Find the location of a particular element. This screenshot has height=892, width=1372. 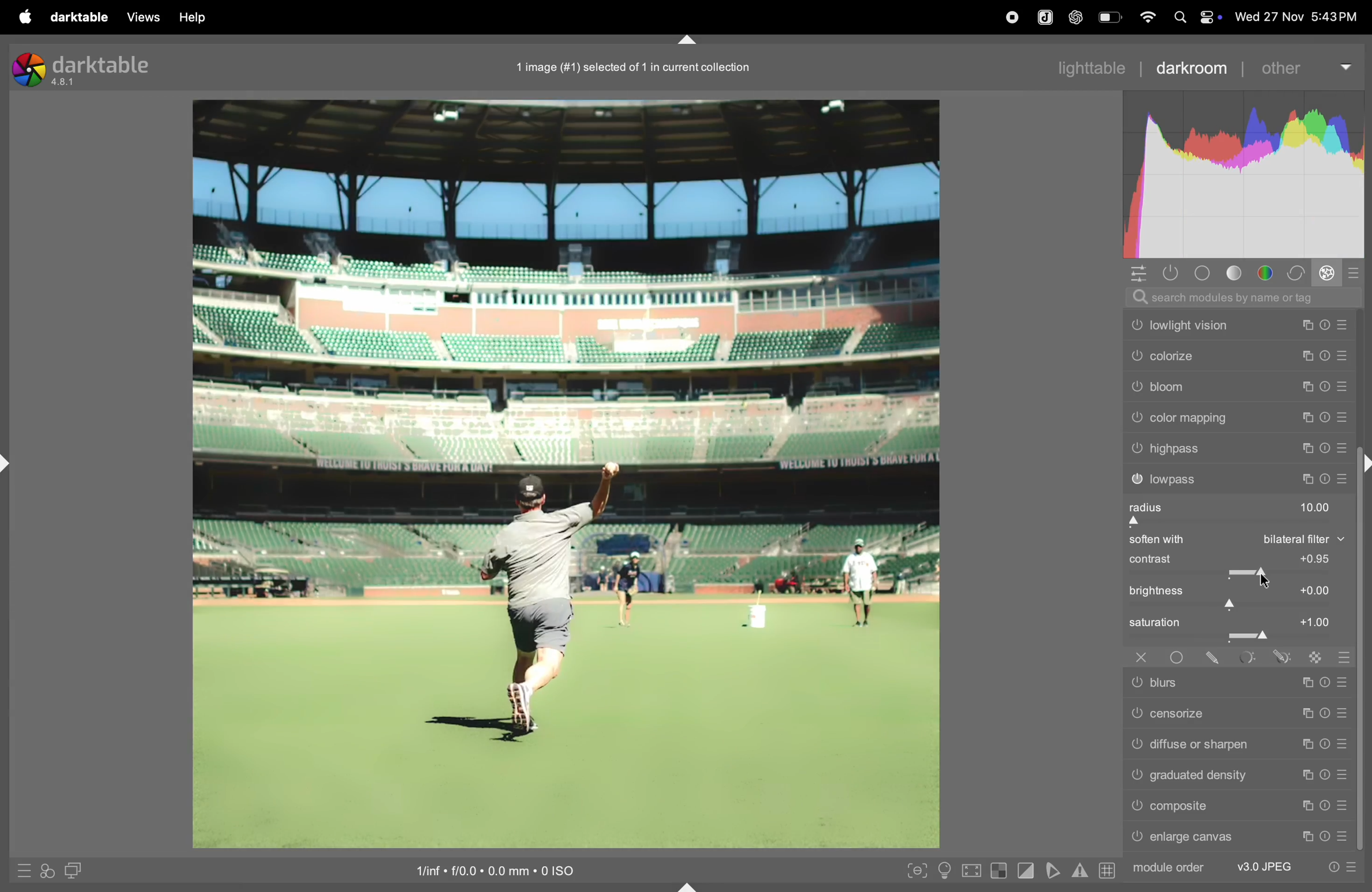

darltable is located at coordinates (77, 18).